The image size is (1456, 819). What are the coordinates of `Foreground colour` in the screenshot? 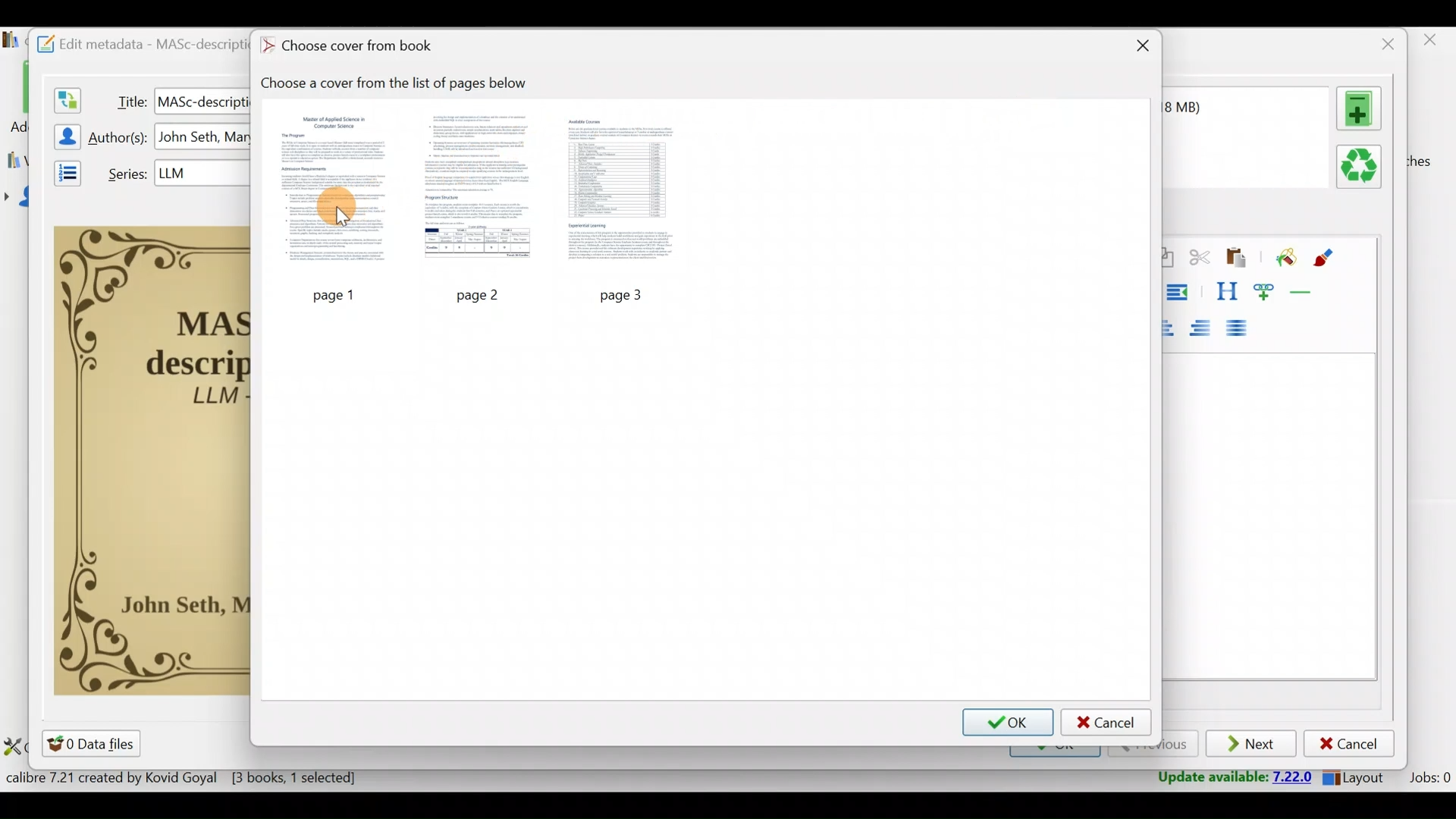 It's located at (1326, 258).